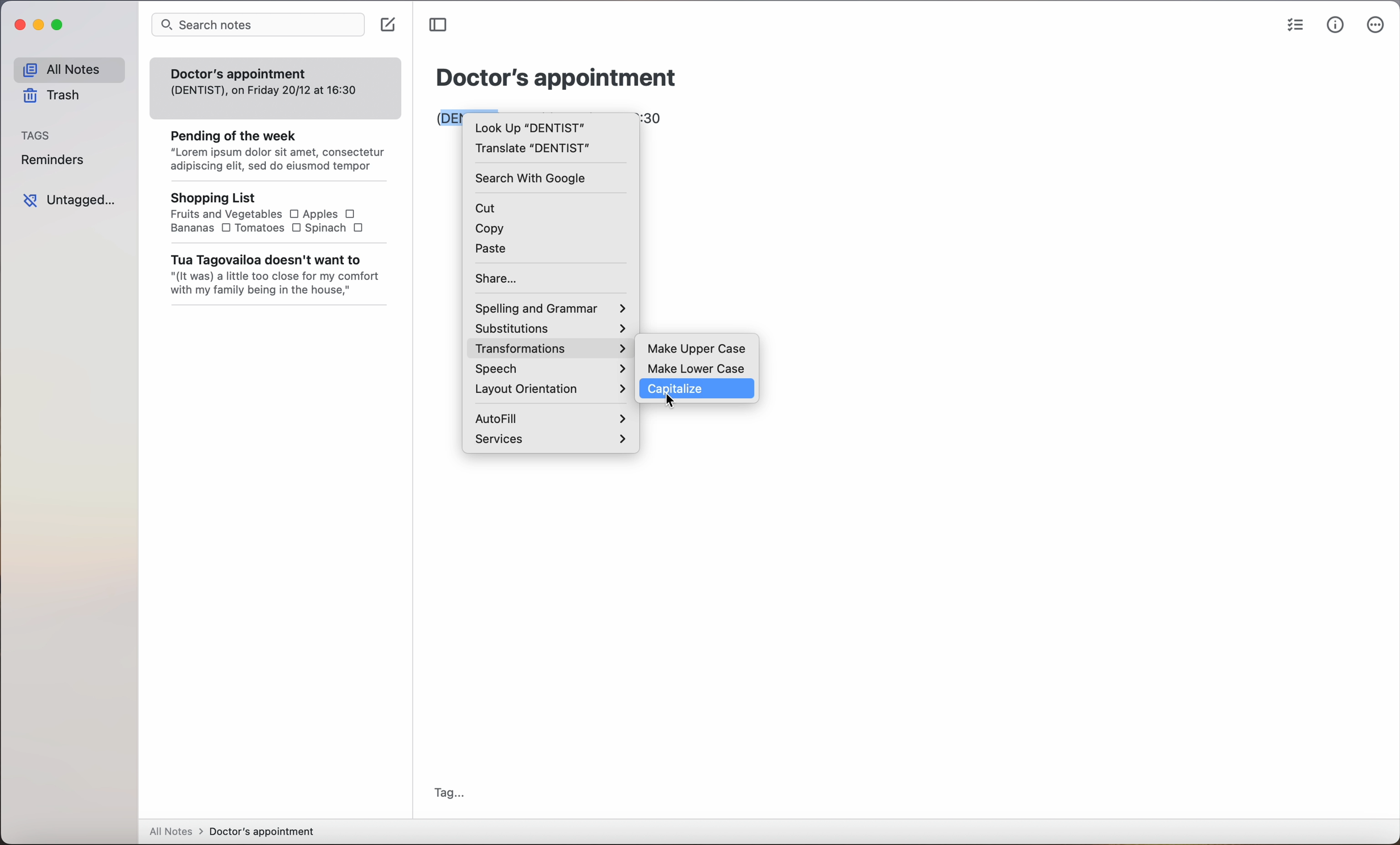  Describe the element at coordinates (491, 208) in the screenshot. I see `cut` at that location.